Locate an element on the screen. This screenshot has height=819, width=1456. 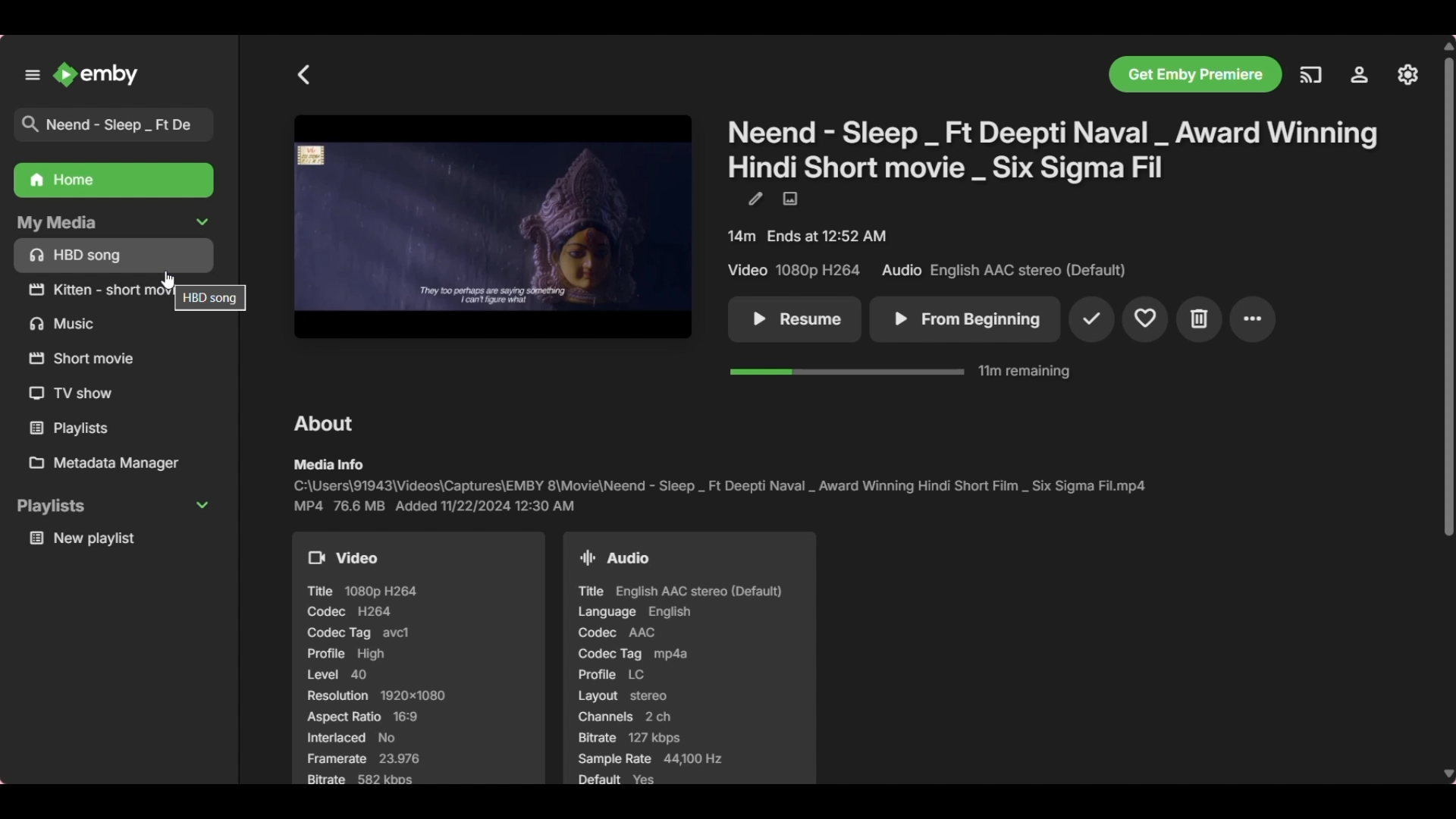
Metadata manager is located at coordinates (119, 463).